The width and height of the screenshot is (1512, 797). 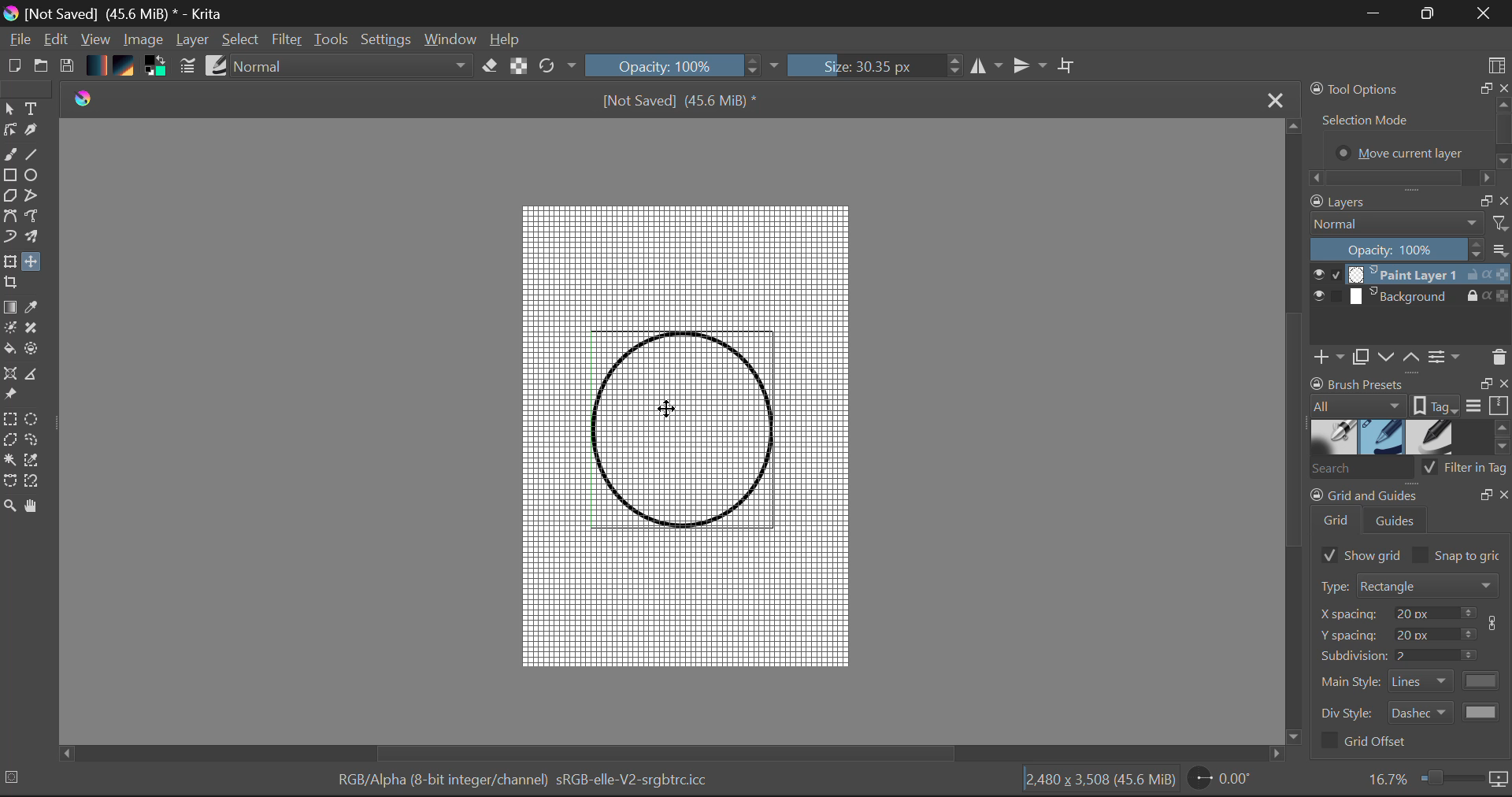 I want to click on Filter, so click(x=285, y=40).